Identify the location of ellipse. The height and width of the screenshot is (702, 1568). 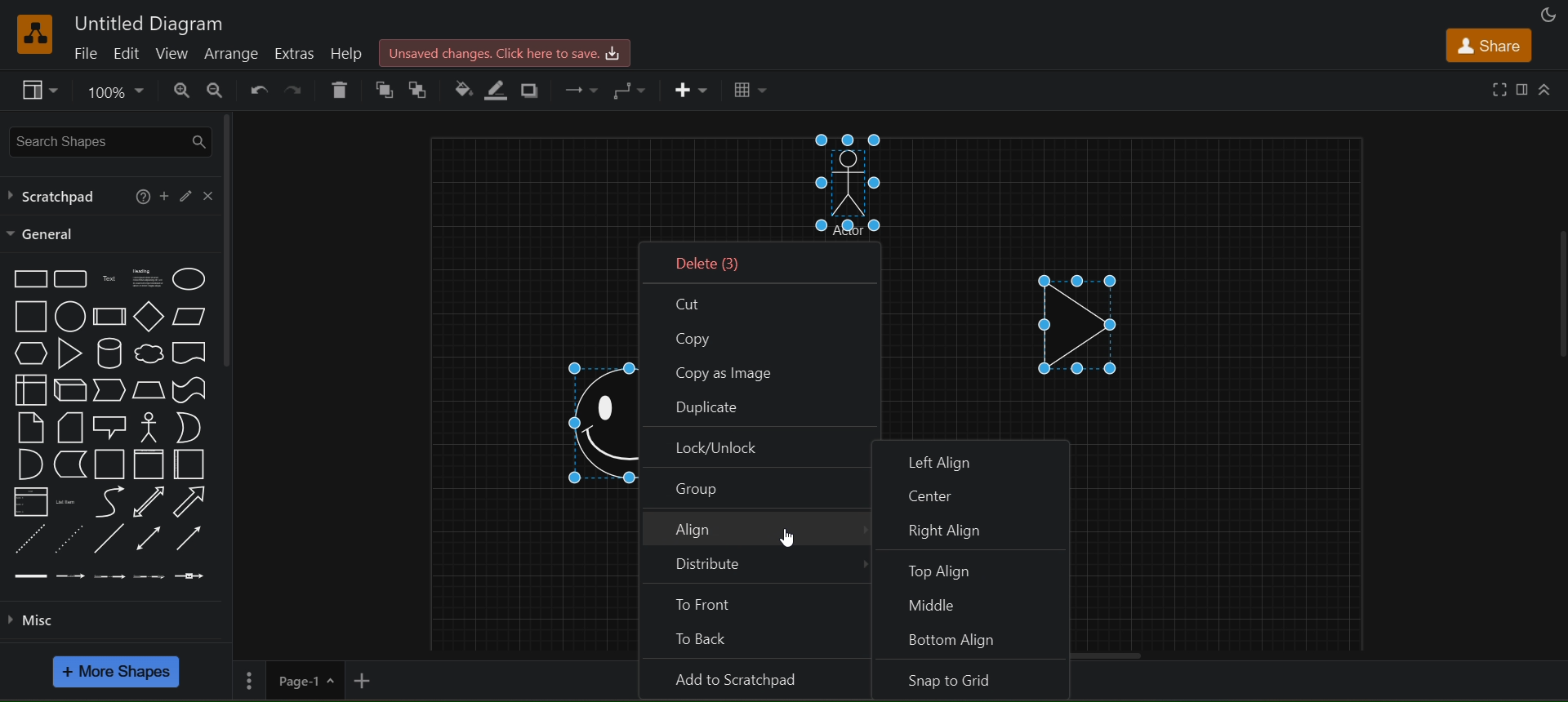
(188, 279).